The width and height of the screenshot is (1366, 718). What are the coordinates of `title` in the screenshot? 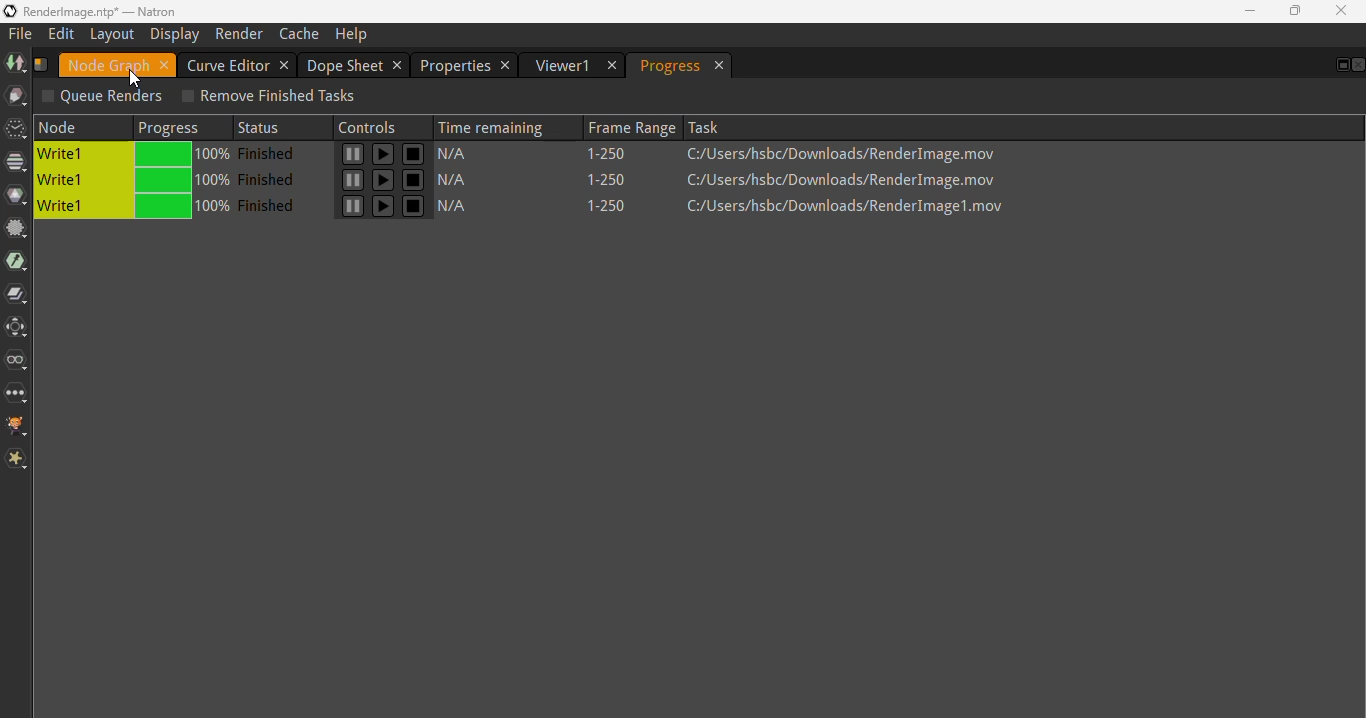 It's located at (101, 10).